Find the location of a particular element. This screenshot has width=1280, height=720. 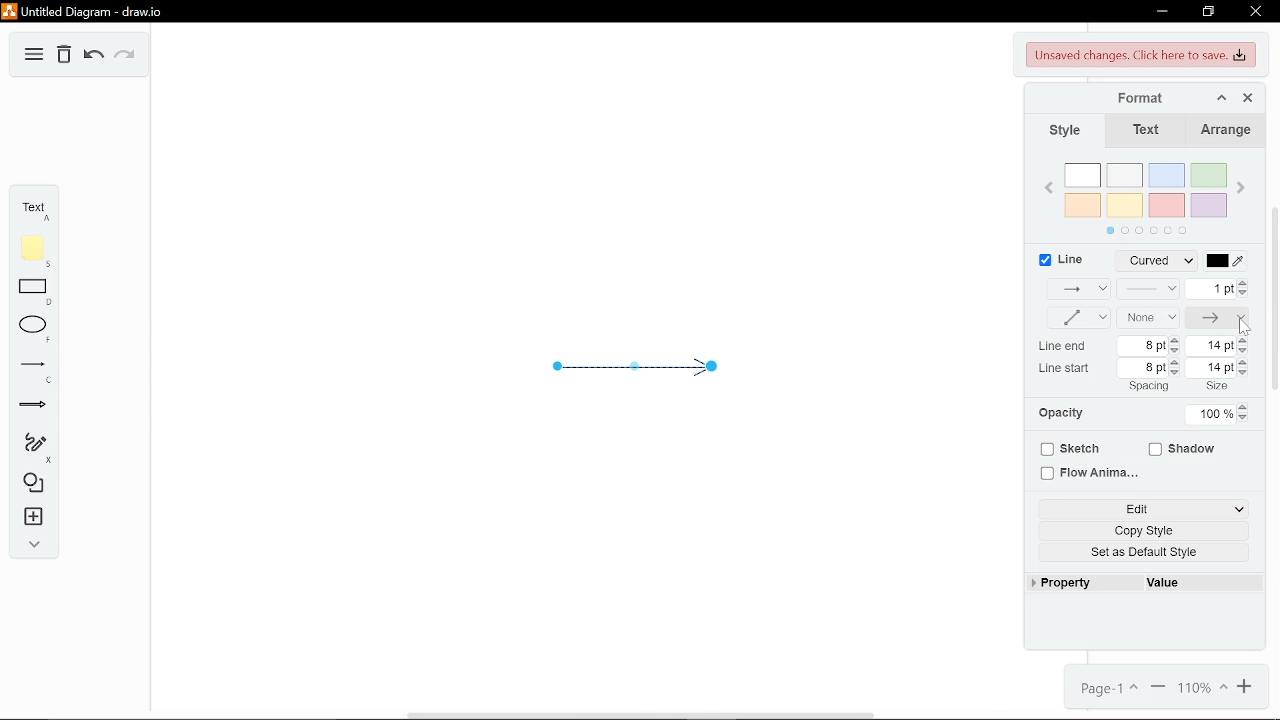

Value is located at coordinates (1198, 584).